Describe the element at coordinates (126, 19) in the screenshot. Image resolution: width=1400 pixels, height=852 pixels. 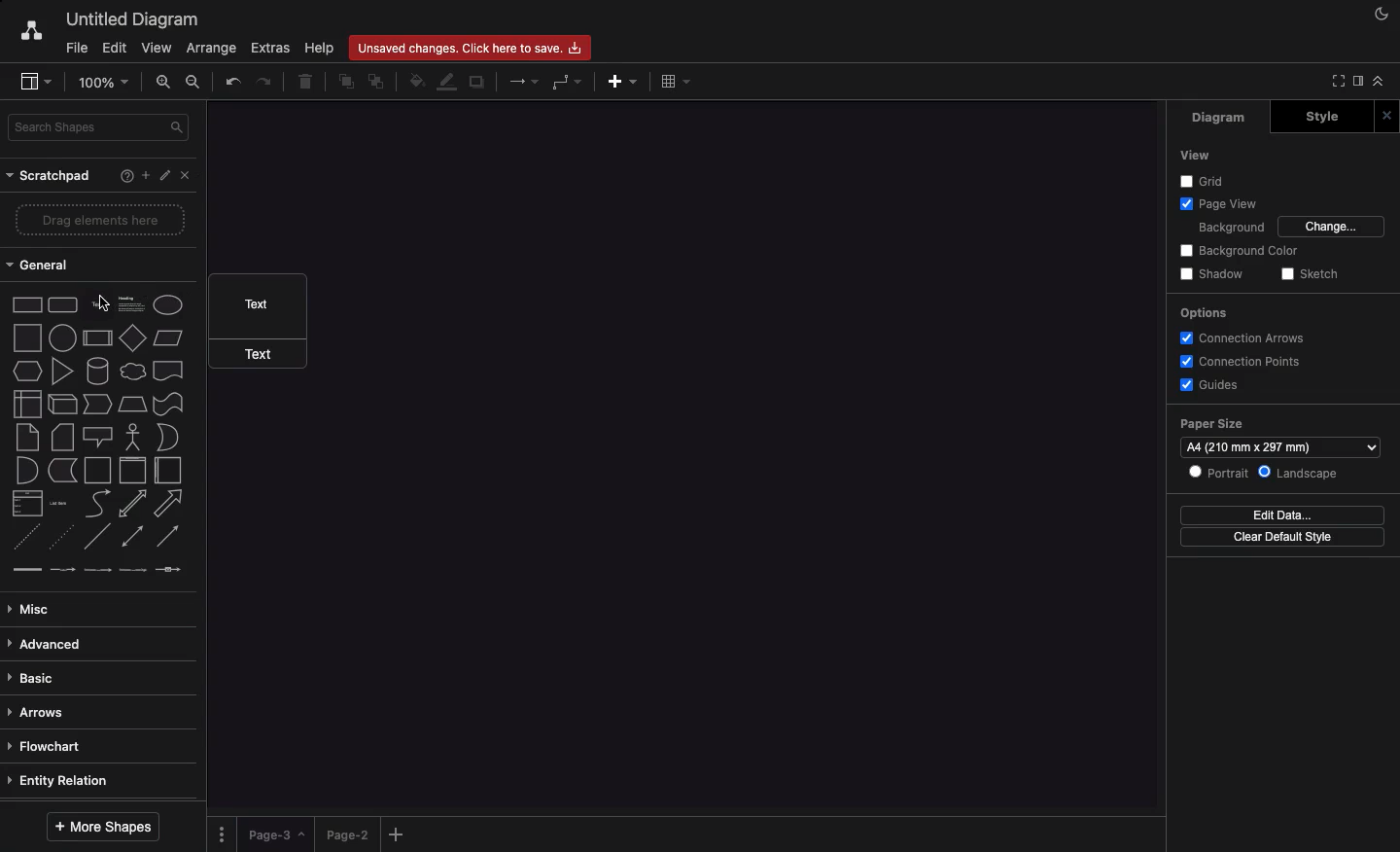
I see `Untitled diagram` at that location.